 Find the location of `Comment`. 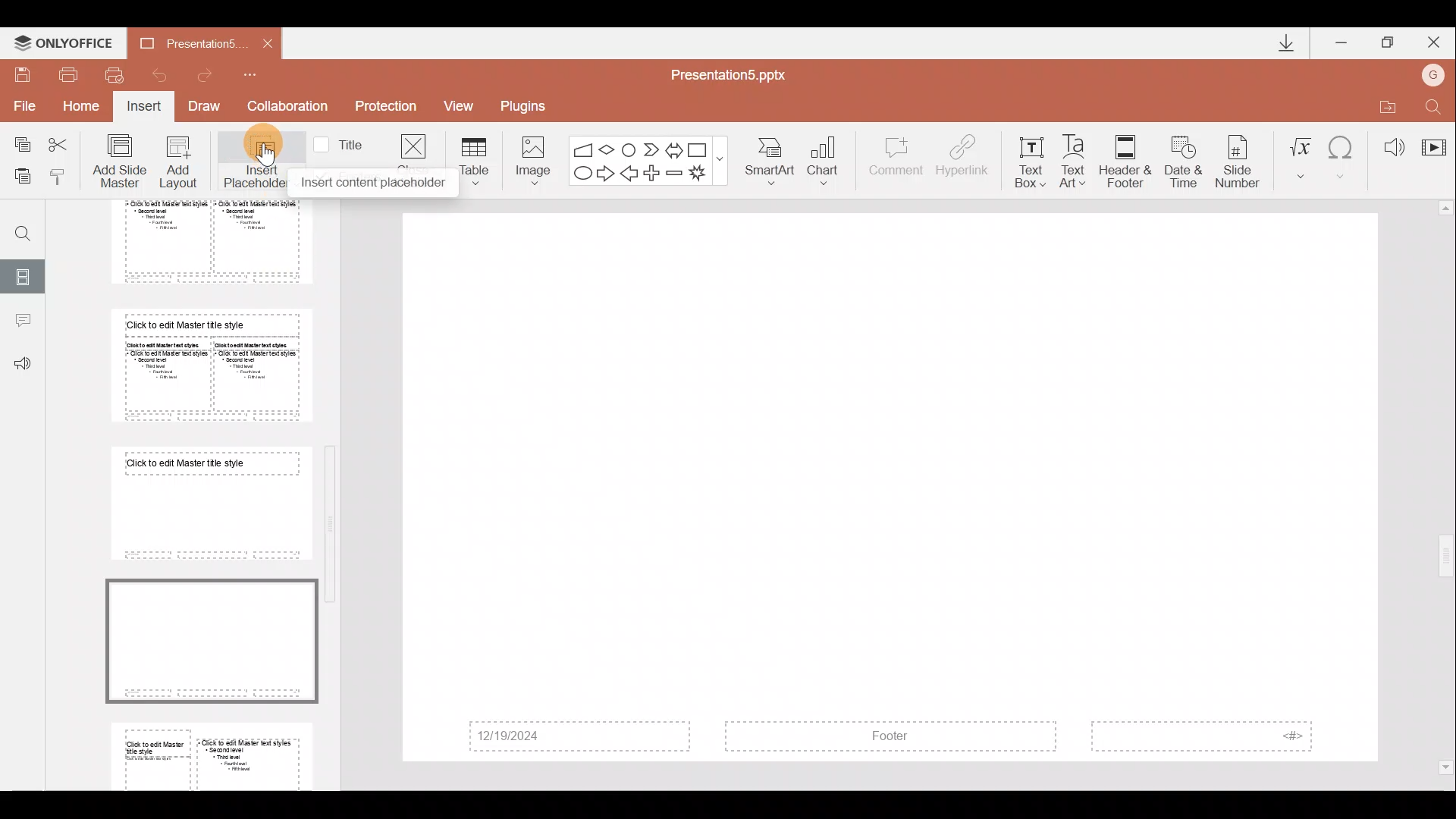

Comment is located at coordinates (896, 163).